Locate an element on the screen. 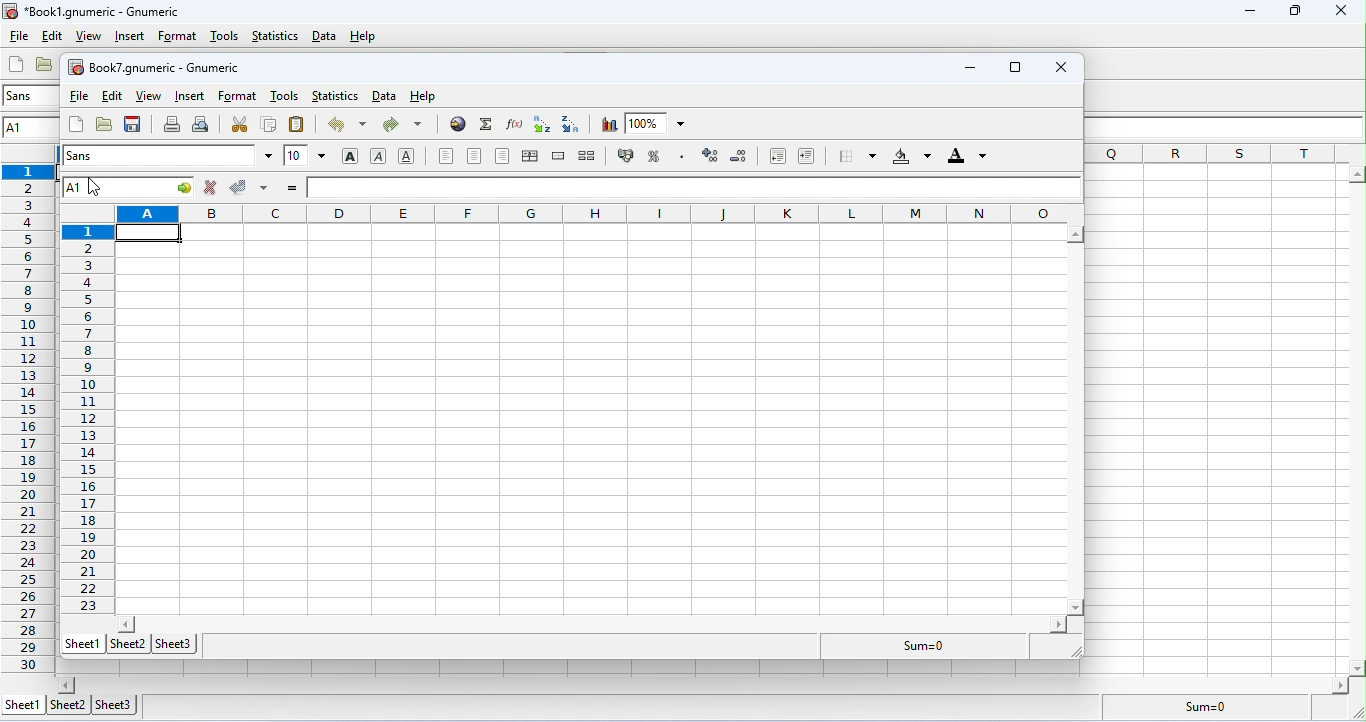 Image resolution: width=1366 pixels, height=722 pixels. cursor is located at coordinates (104, 193).